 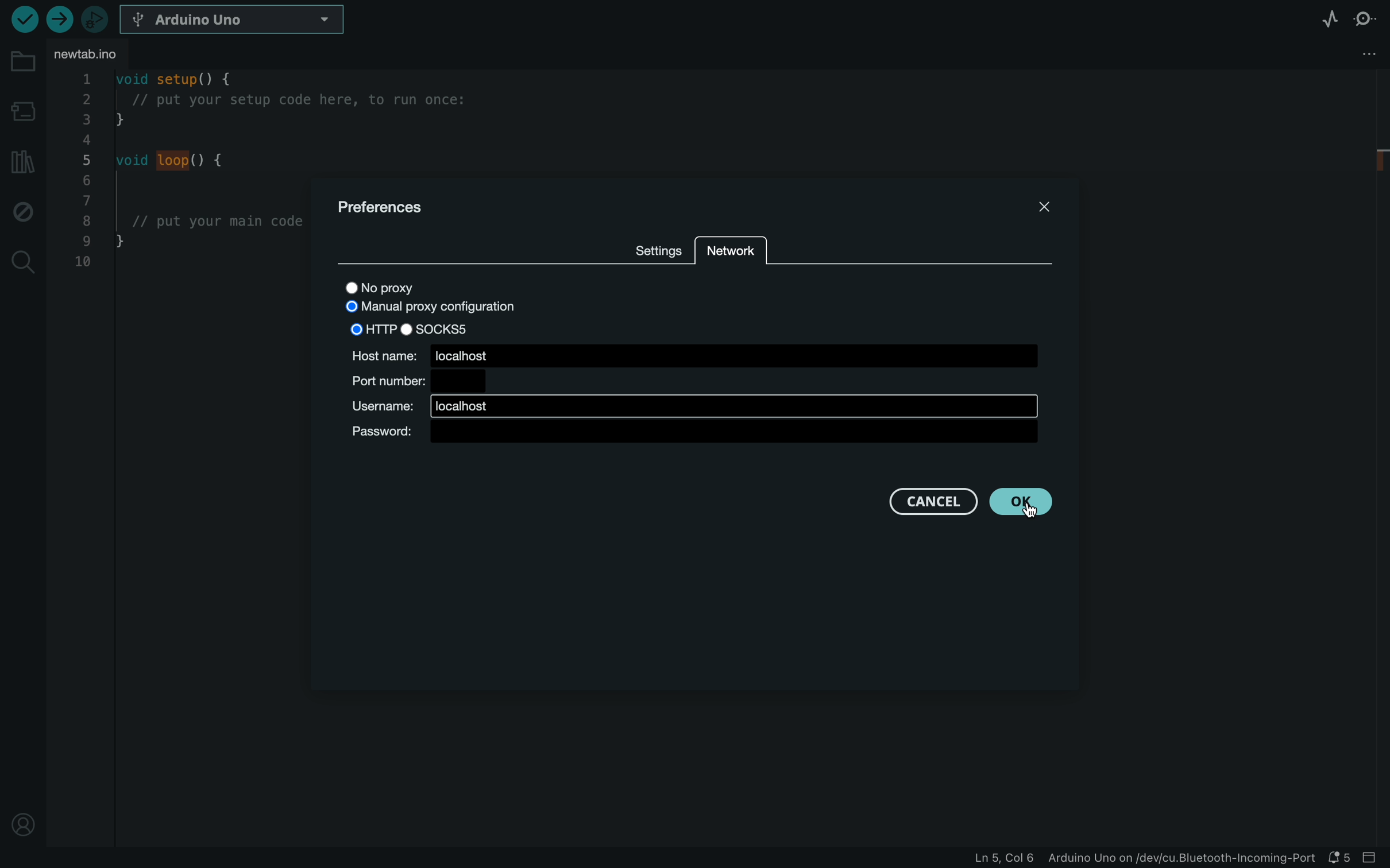 I want to click on prefernces, so click(x=384, y=208).